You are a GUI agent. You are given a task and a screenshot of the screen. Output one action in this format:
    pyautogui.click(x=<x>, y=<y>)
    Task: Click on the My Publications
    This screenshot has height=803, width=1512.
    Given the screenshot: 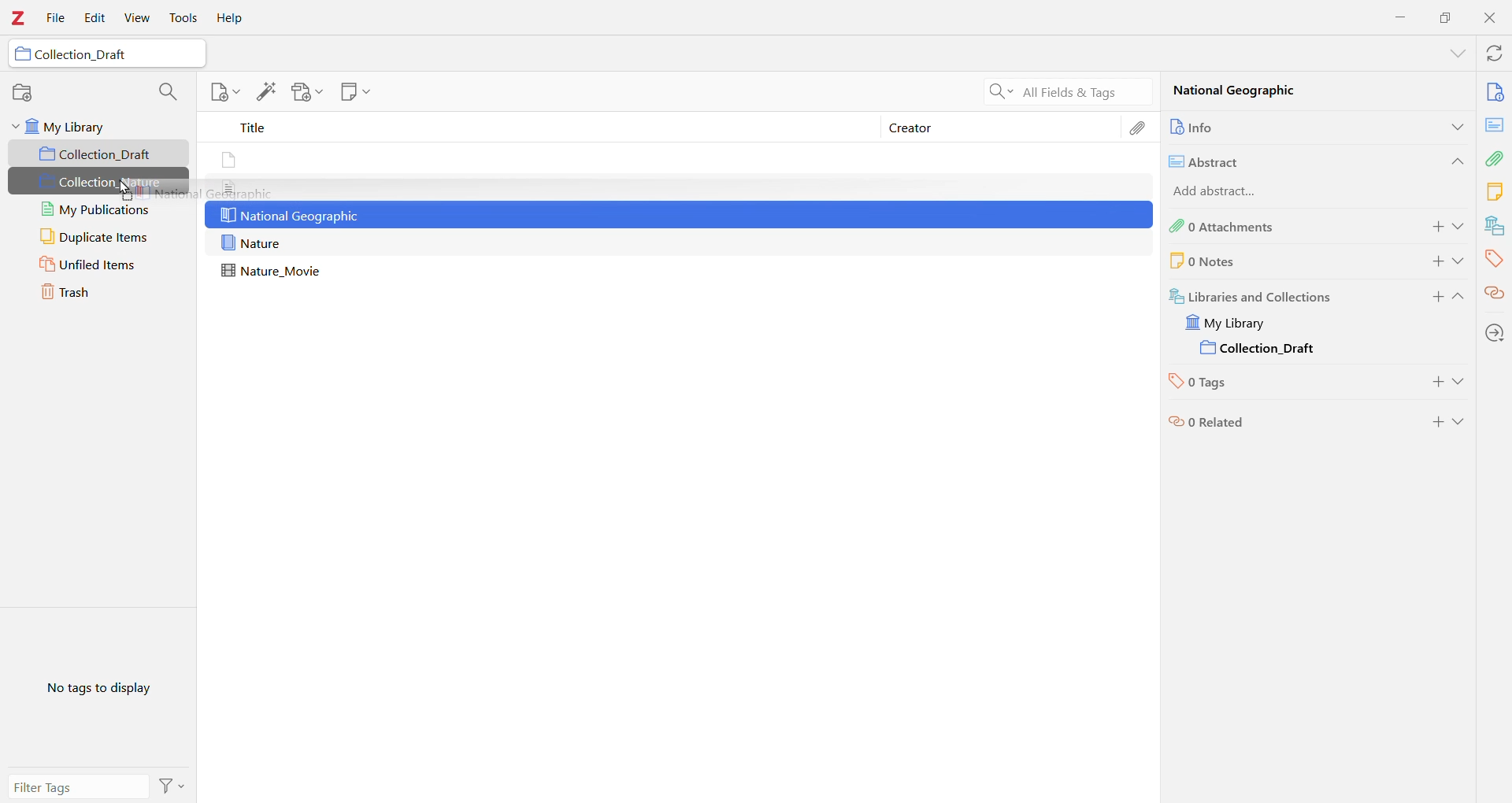 What is the action you would take?
    pyautogui.click(x=96, y=209)
    